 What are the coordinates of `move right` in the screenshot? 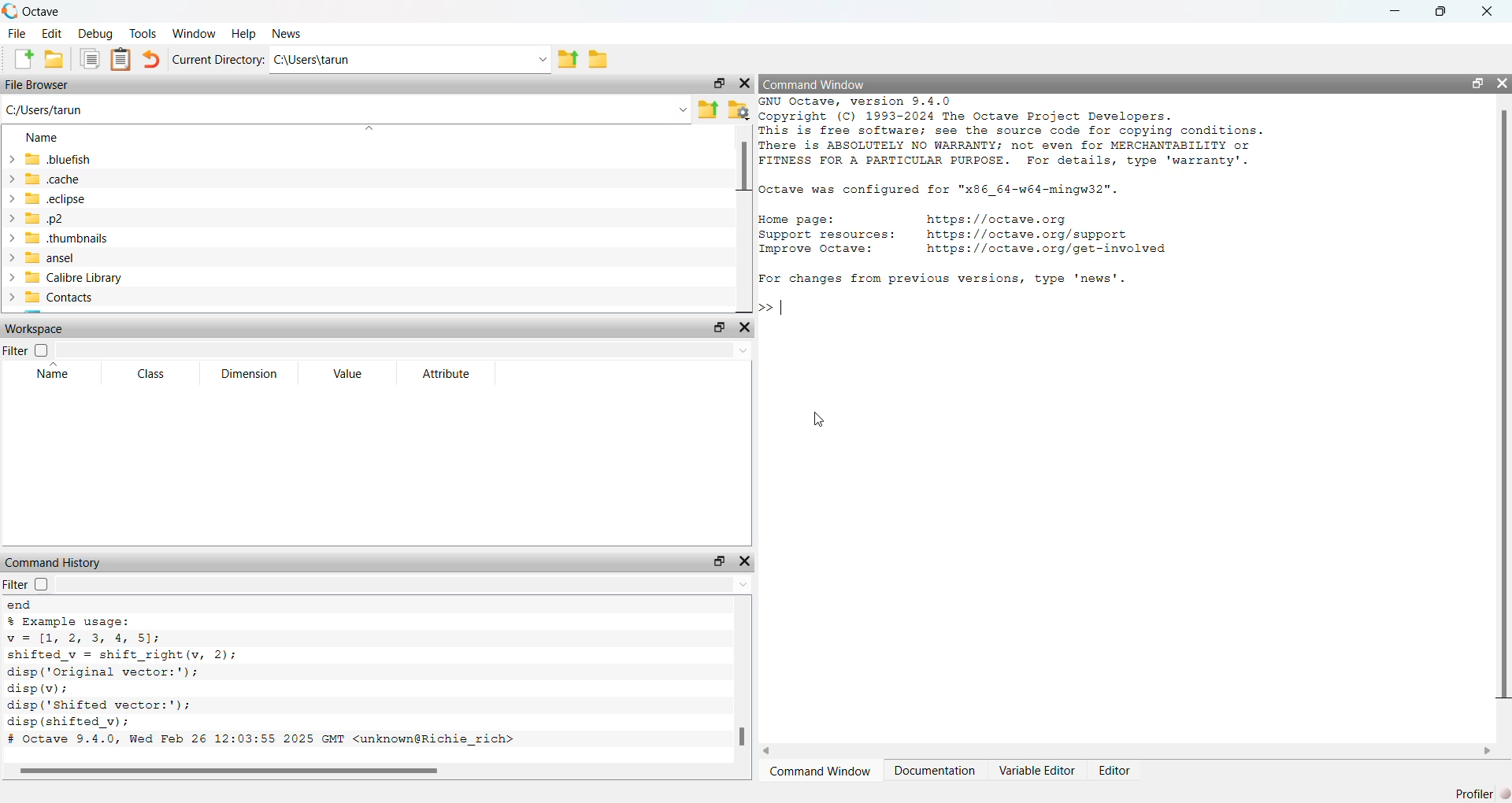 It's located at (1486, 751).